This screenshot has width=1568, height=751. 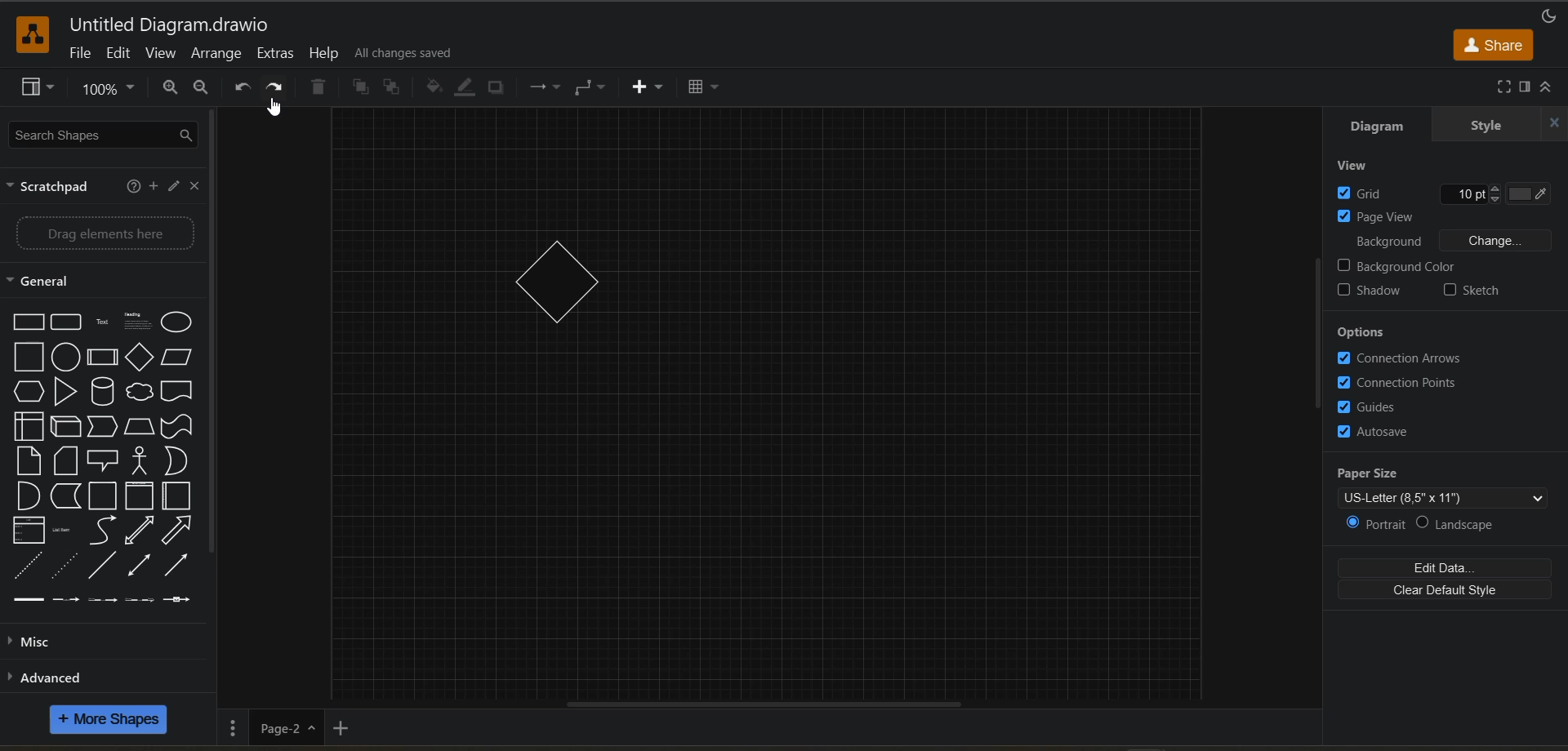 What do you see at coordinates (28, 321) in the screenshot?
I see `rectangle` at bounding box center [28, 321].